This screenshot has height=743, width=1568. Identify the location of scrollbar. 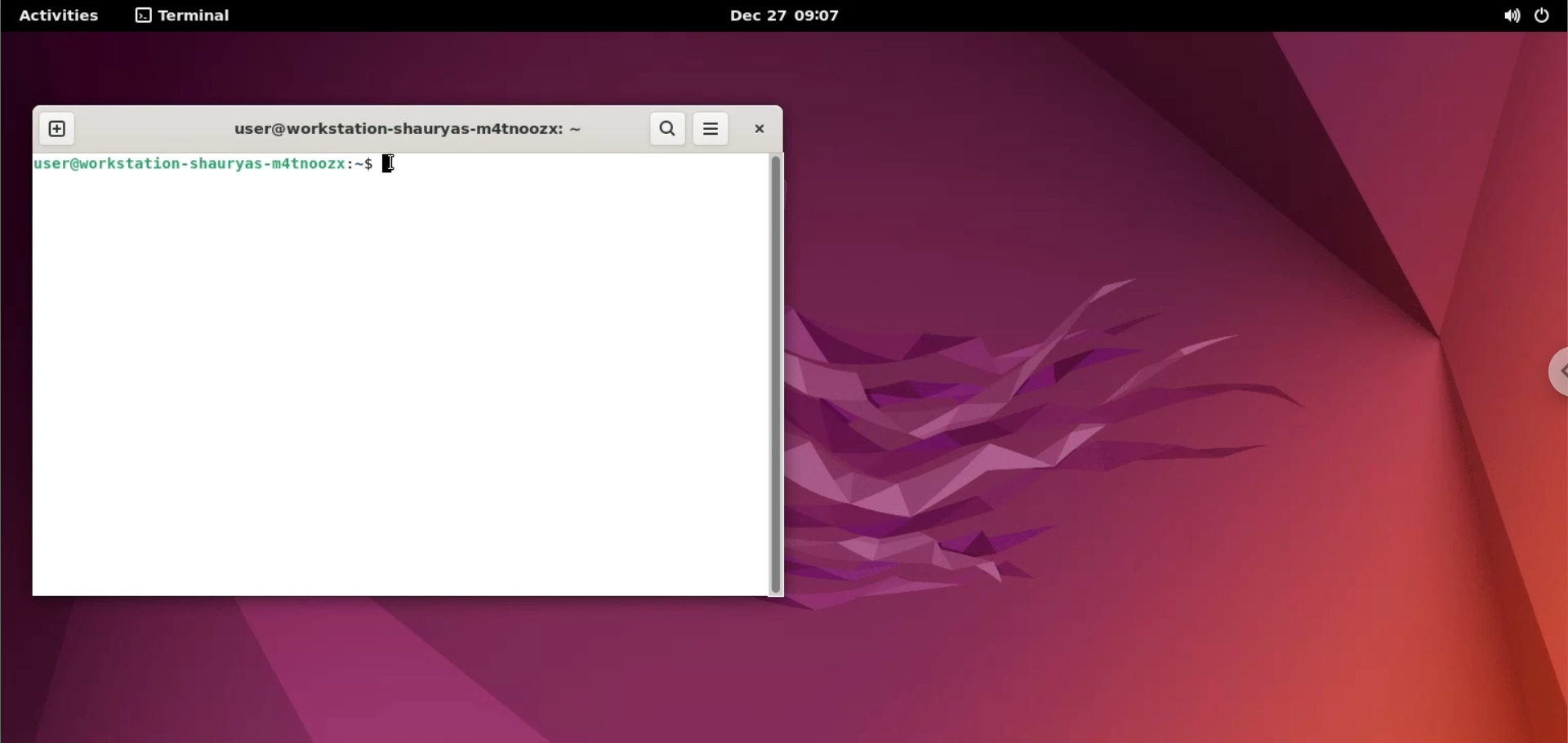
(778, 373).